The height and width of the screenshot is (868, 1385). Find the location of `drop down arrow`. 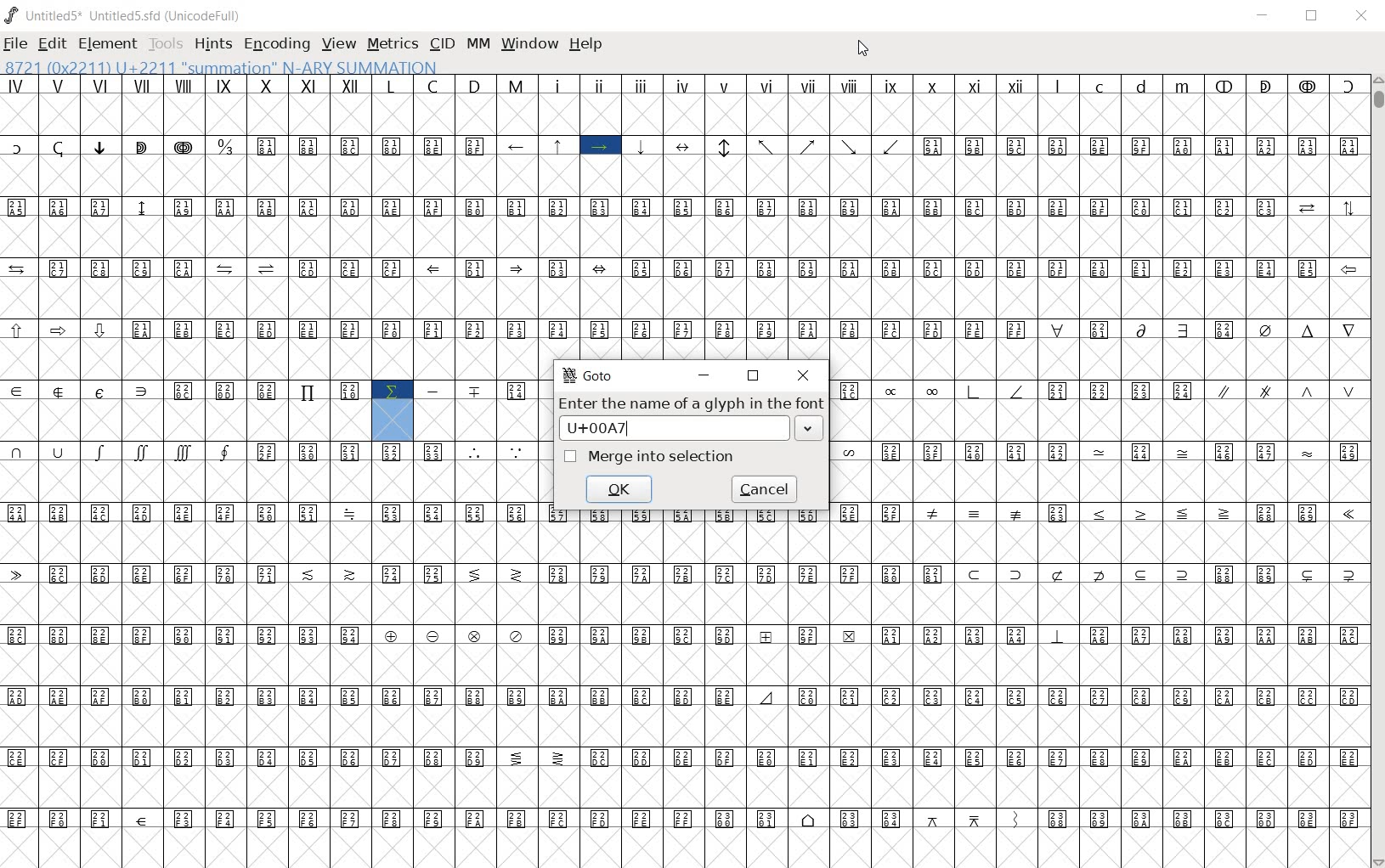

drop down arrow is located at coordinates (810, 426).